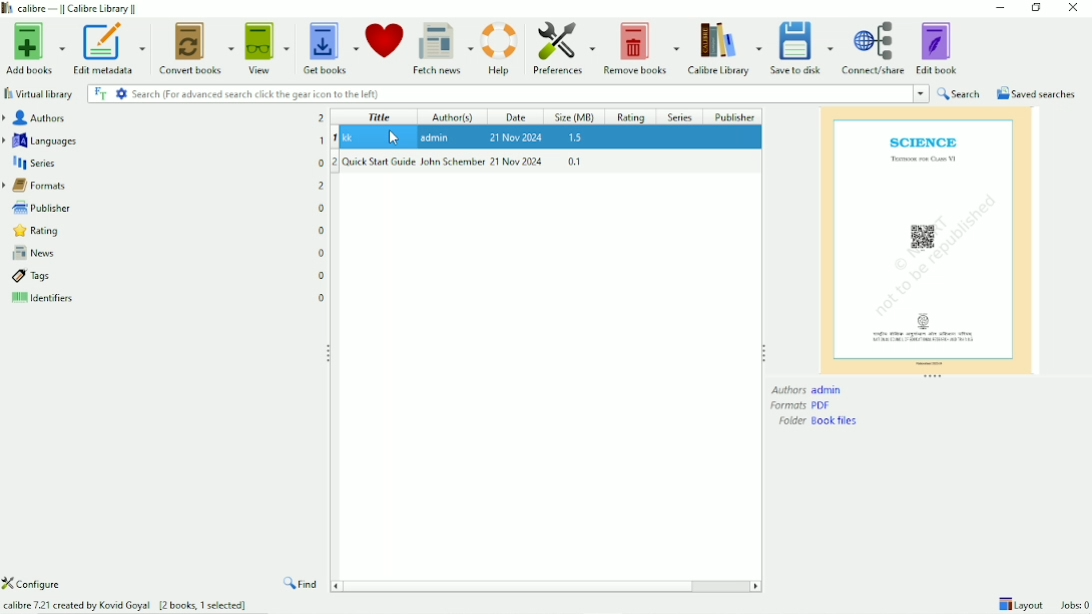 The image size is (1092, 614). I want to click on Jobs, so click(1075, 605).